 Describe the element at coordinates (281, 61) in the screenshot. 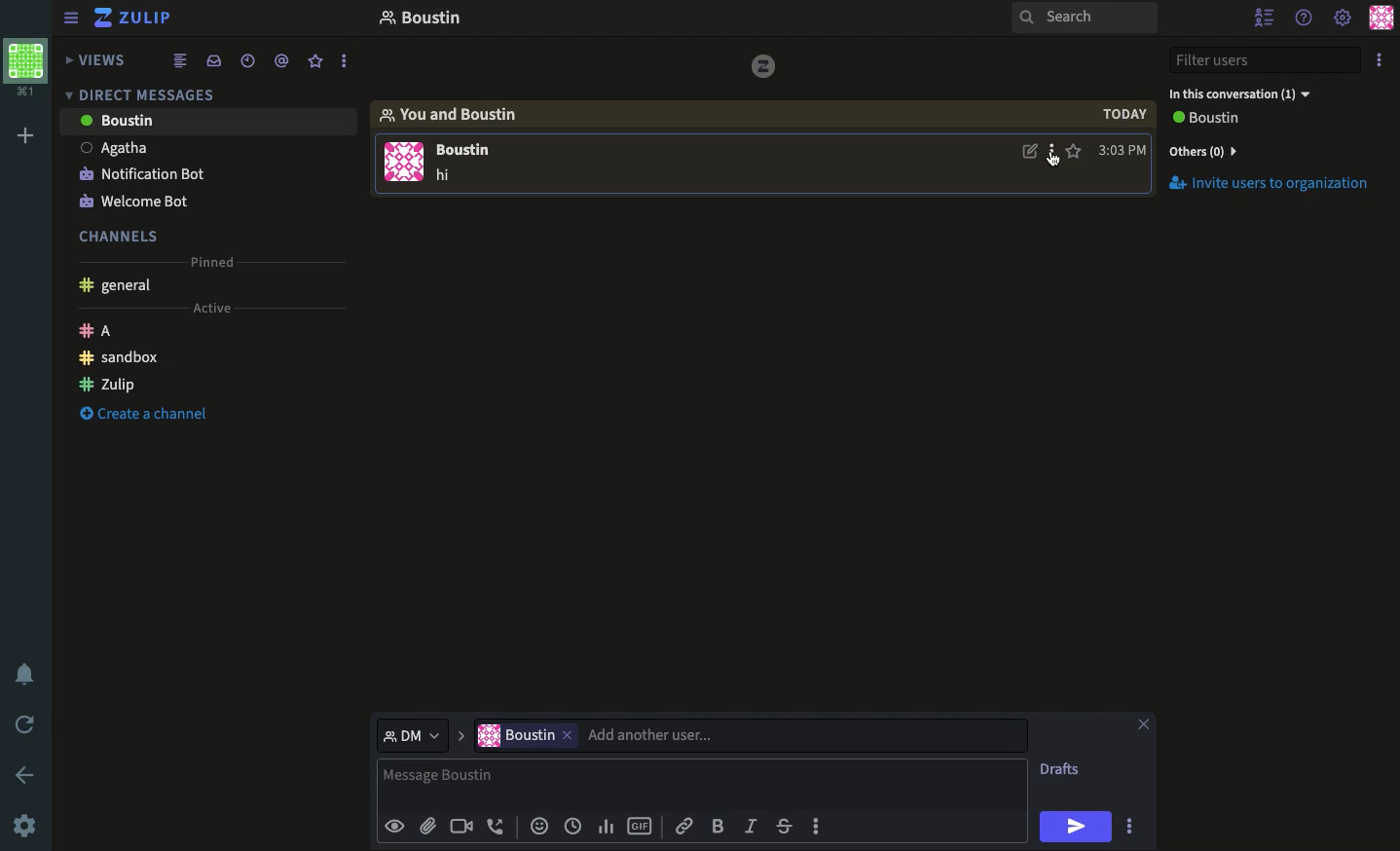

I see `Tagged` at that location.